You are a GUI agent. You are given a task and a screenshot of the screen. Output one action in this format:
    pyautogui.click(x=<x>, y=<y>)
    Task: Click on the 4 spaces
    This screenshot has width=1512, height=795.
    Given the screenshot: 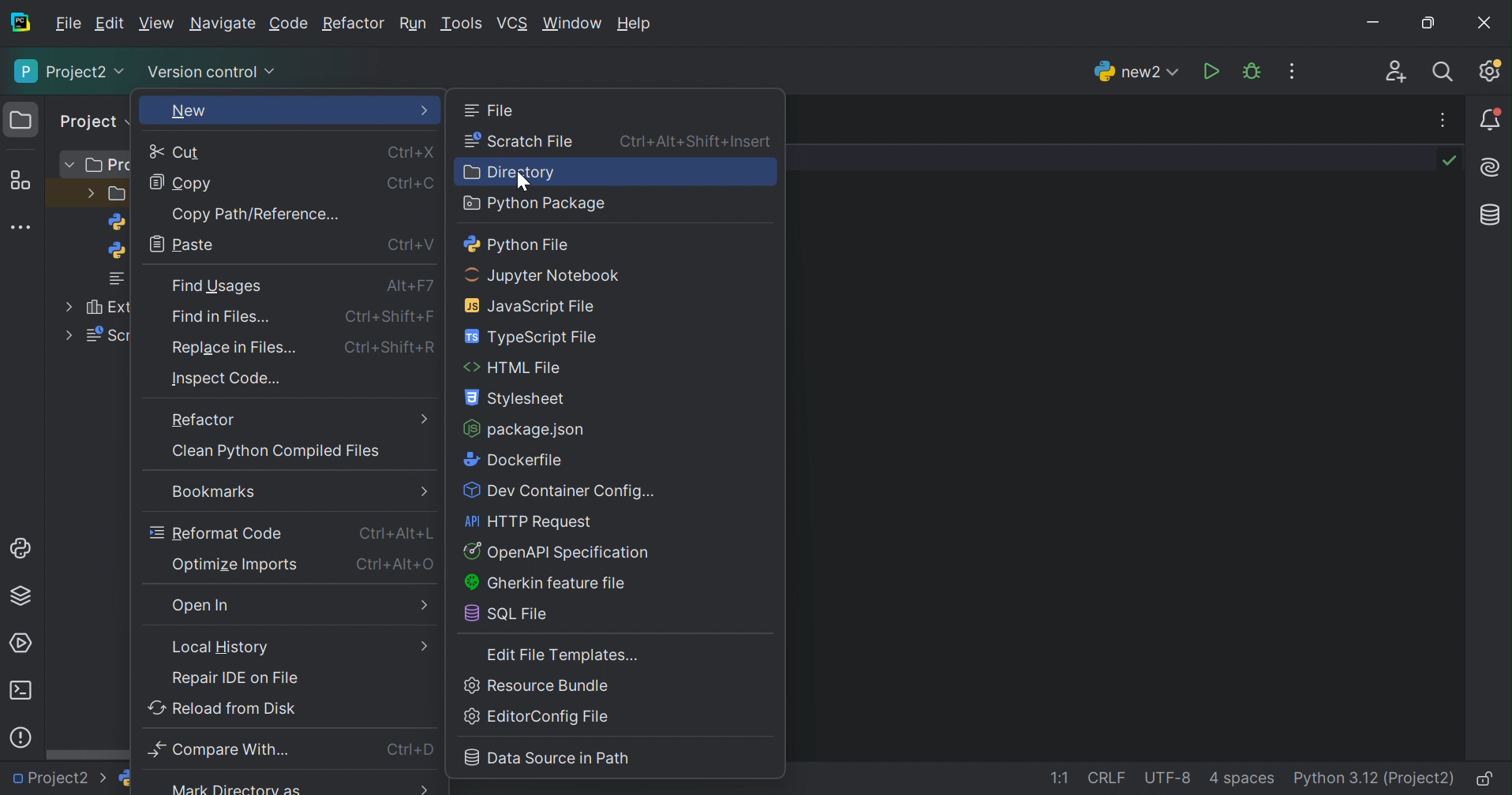 What is the action you would take?
    pyautogui.click(x=1244, y=779)
    